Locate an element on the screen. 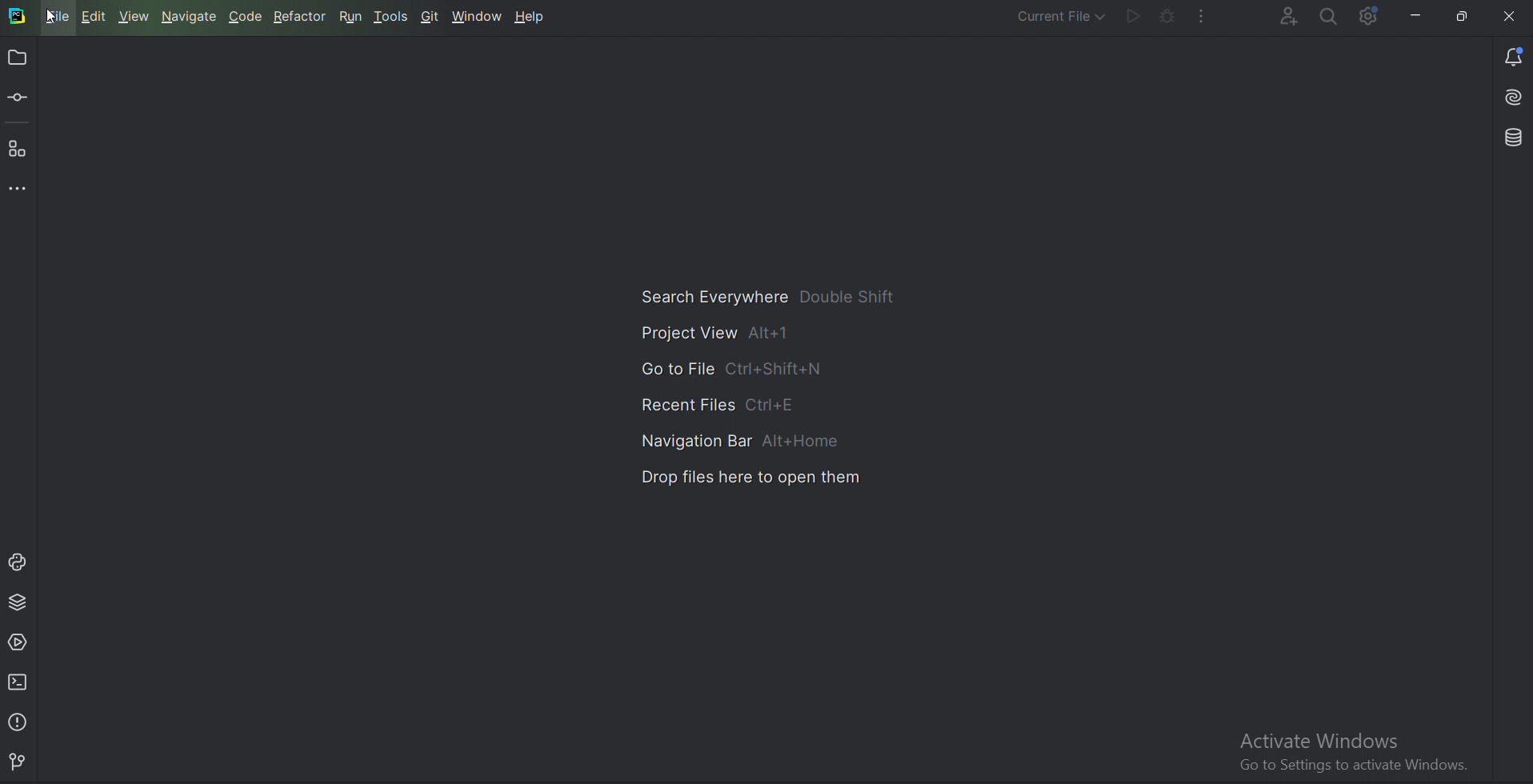 The image size is (1533, 784). Git is located at coordinates (430, 16).